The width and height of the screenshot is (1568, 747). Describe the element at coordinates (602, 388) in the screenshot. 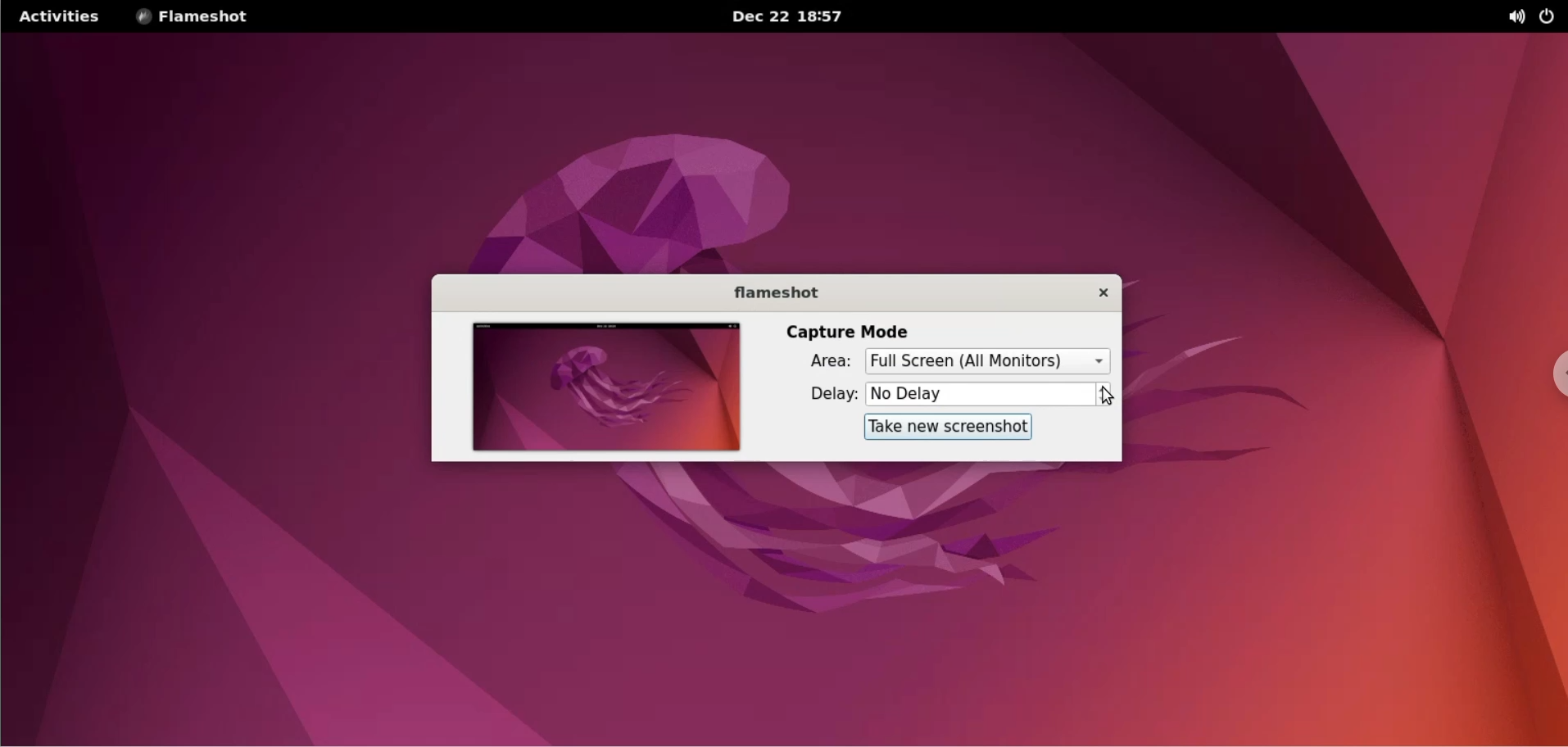

I see `screenshot preview` at that location.